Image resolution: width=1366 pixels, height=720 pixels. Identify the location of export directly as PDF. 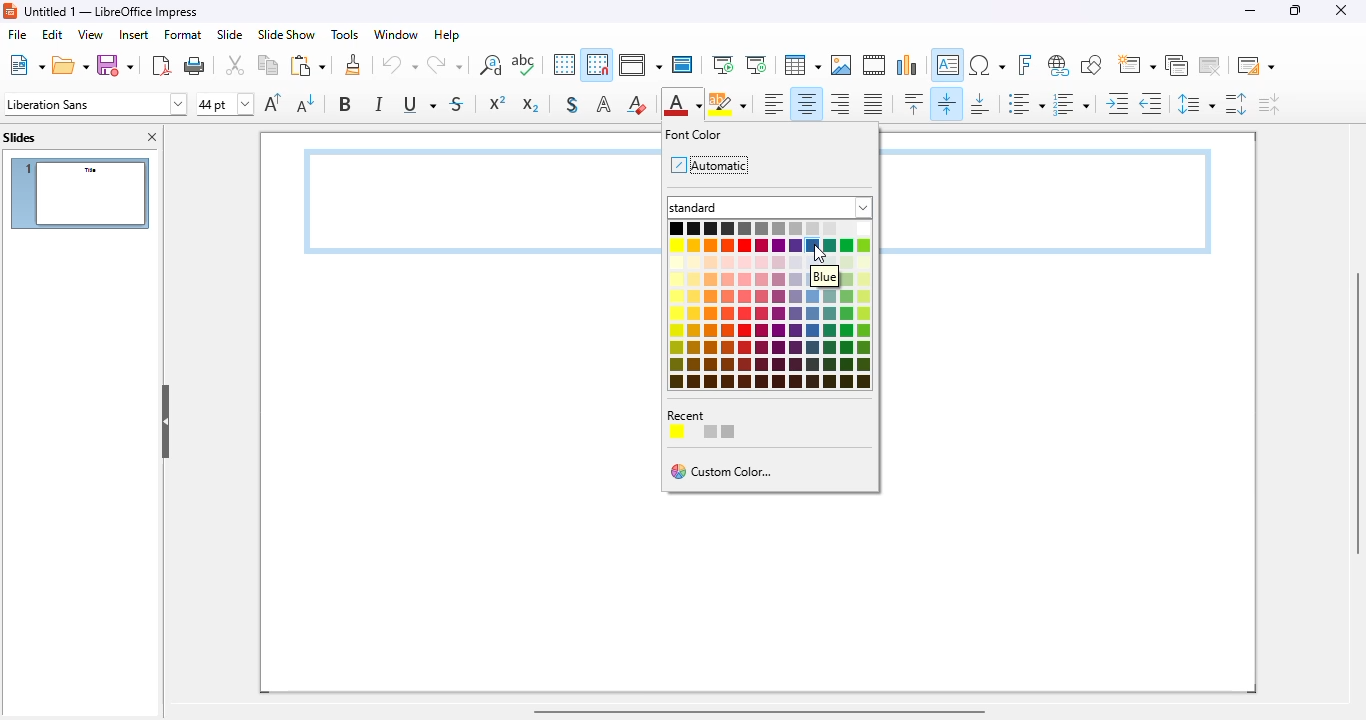
(163, 65).